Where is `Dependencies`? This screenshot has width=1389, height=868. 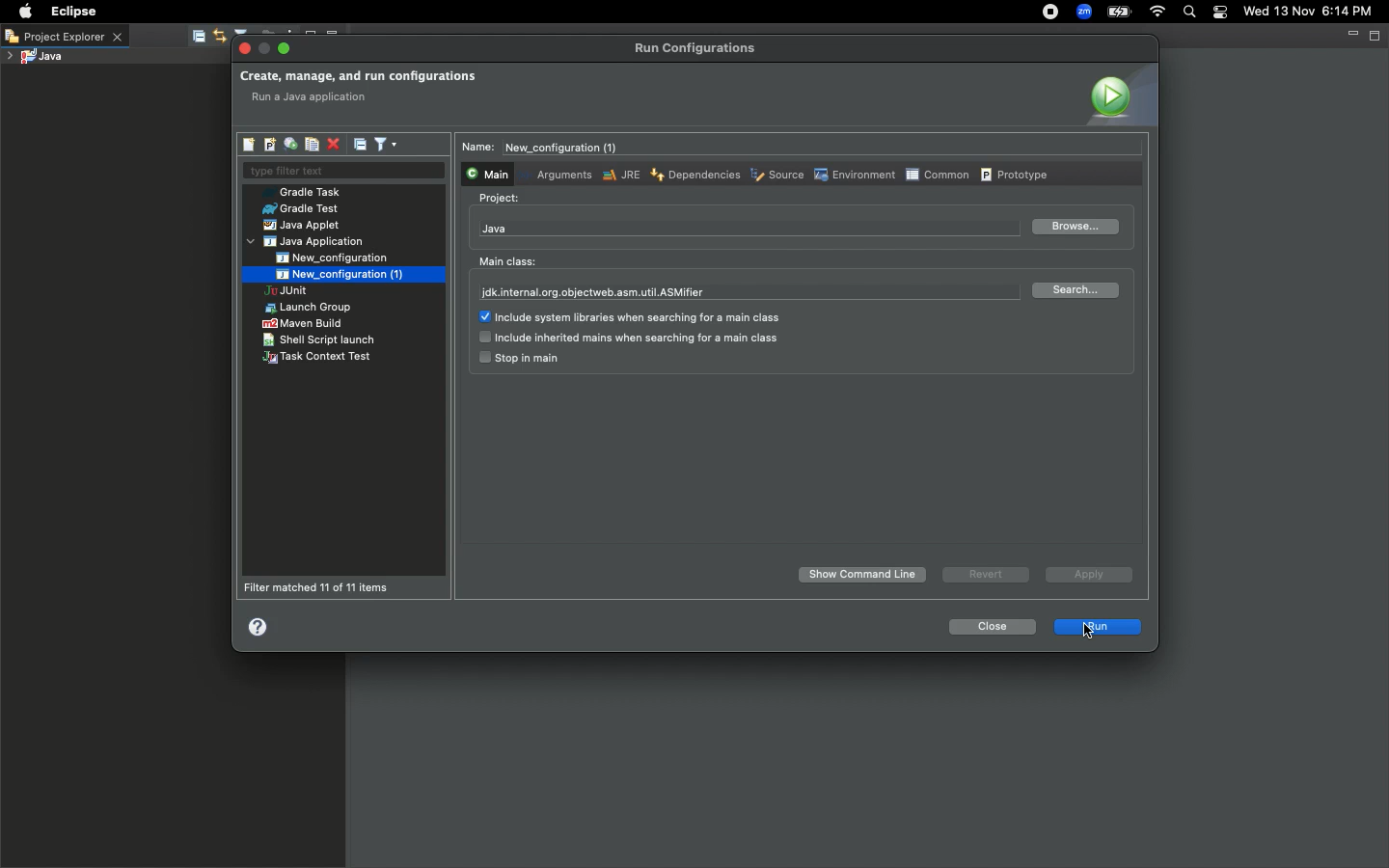 Dependencies is located at coordinates (694, 174).